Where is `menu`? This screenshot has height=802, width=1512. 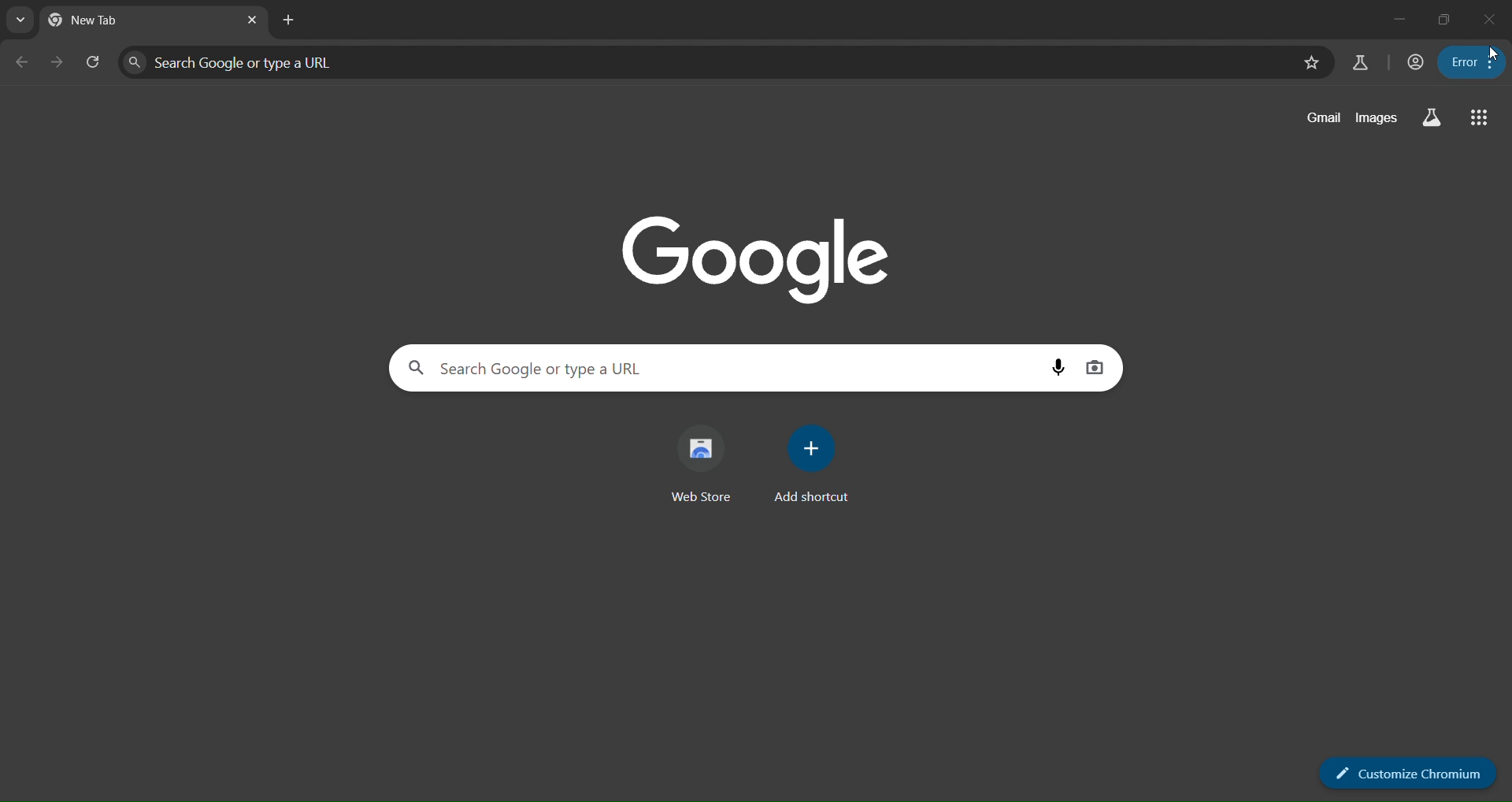 menu is located at coordinates (1473, 62).